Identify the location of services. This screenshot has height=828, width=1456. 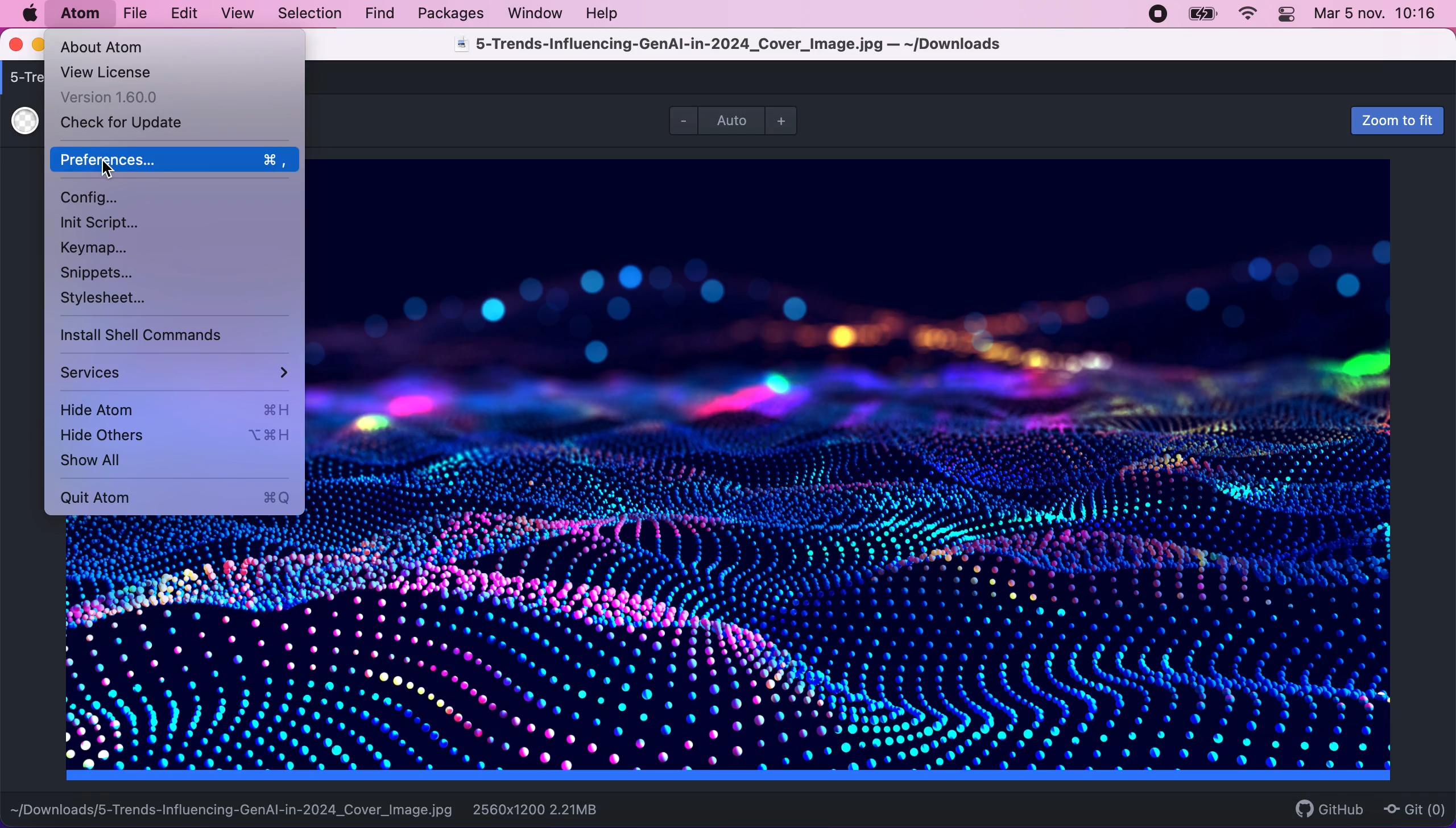
(174, 370).